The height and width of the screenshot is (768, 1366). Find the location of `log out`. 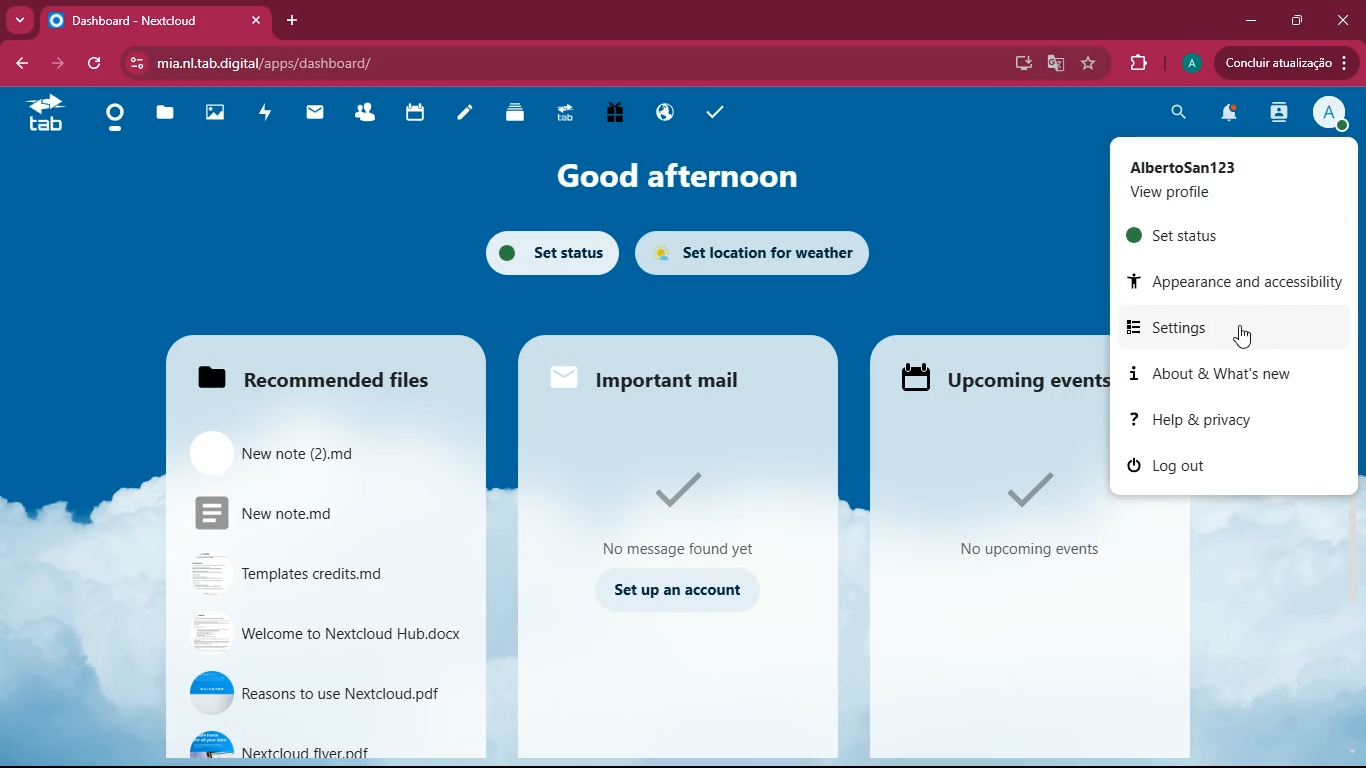

log out is located at coordinates (1231, 468).